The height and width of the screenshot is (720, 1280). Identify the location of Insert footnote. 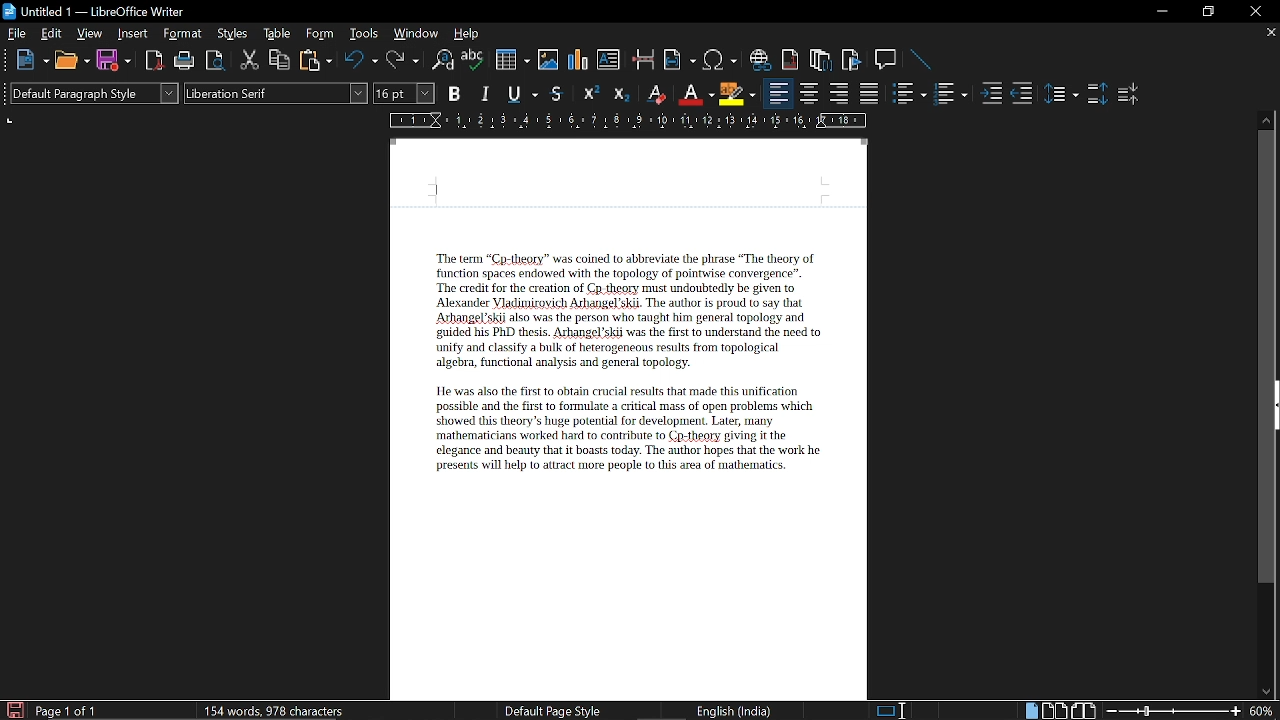
(822, 60).